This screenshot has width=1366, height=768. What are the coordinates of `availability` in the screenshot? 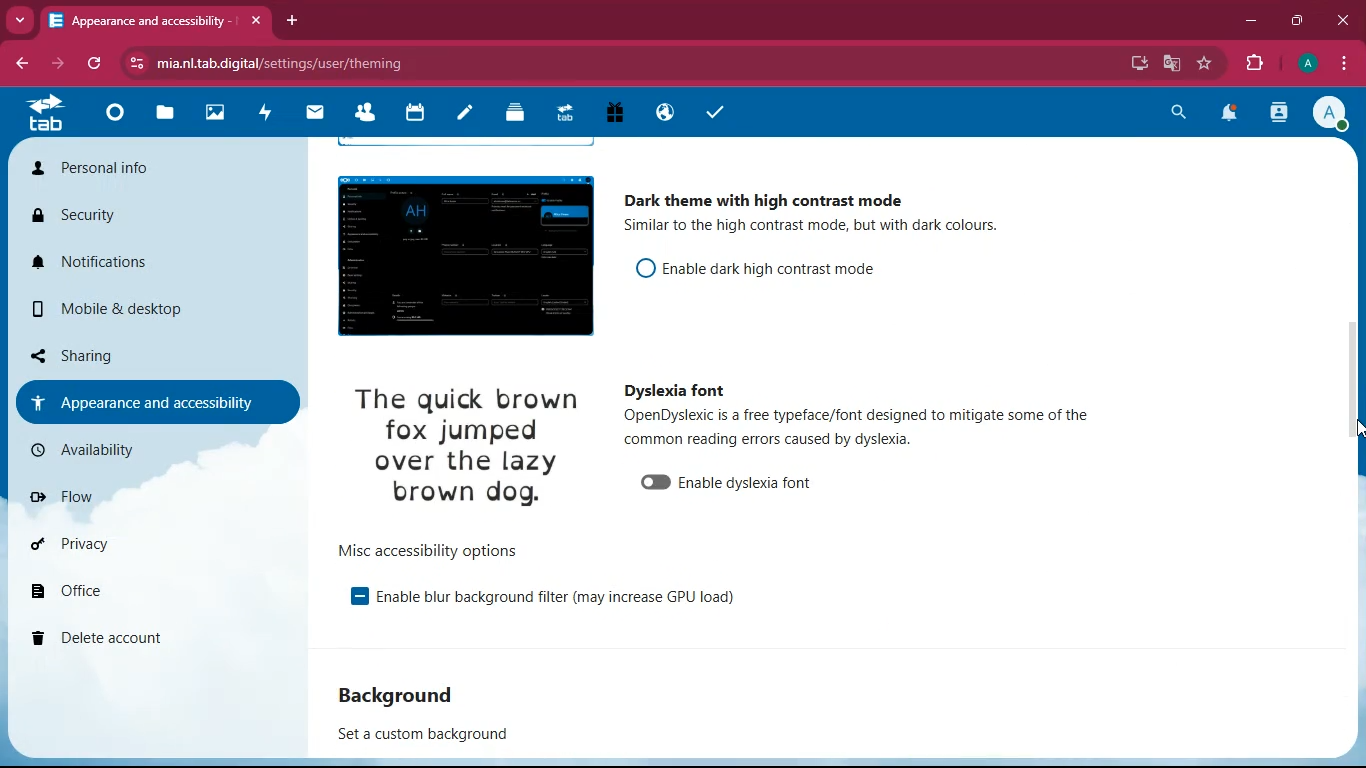 It's located at (137, 456).